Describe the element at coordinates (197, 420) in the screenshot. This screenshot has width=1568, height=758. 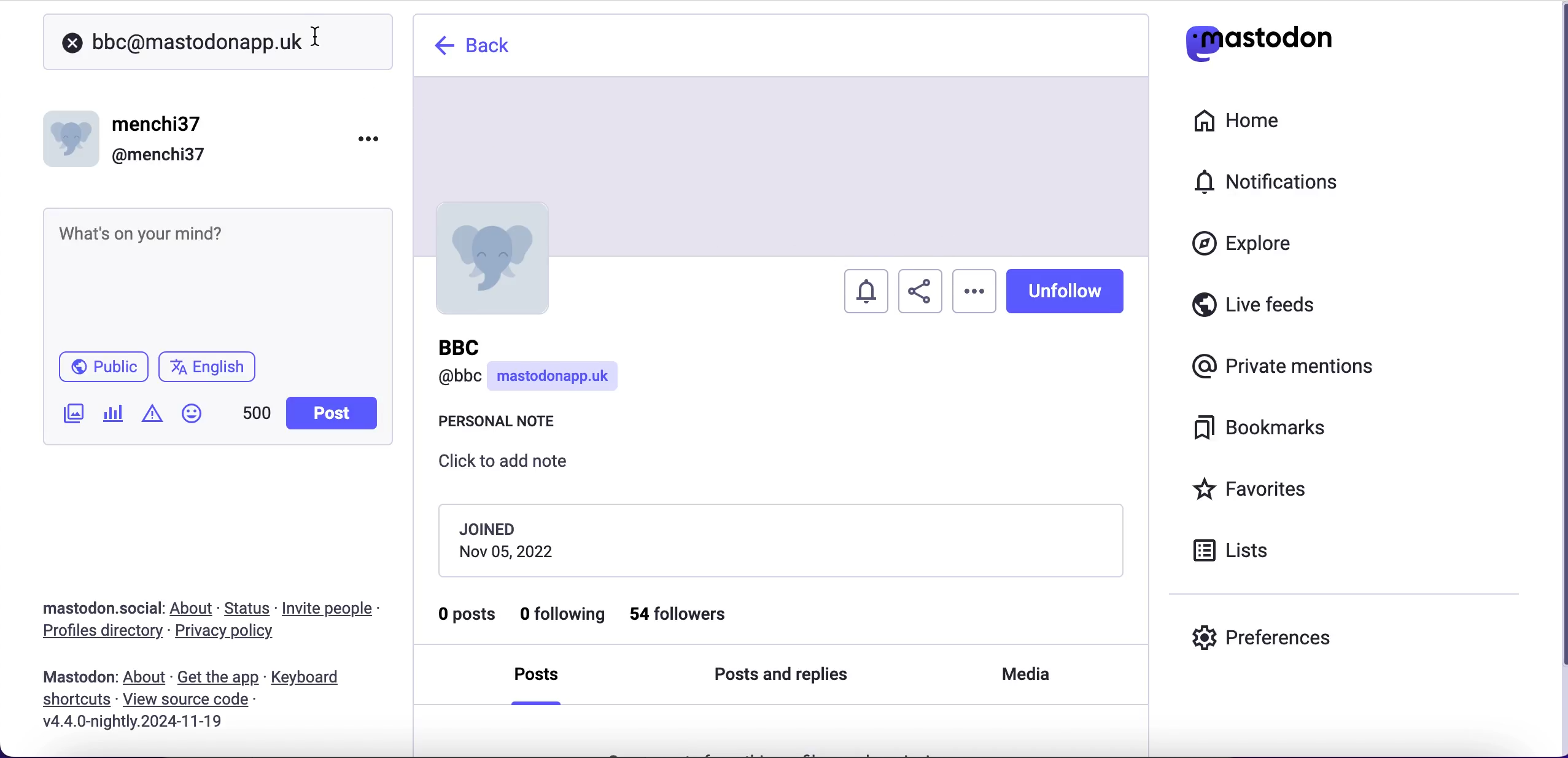
I see `emojis` at that location.